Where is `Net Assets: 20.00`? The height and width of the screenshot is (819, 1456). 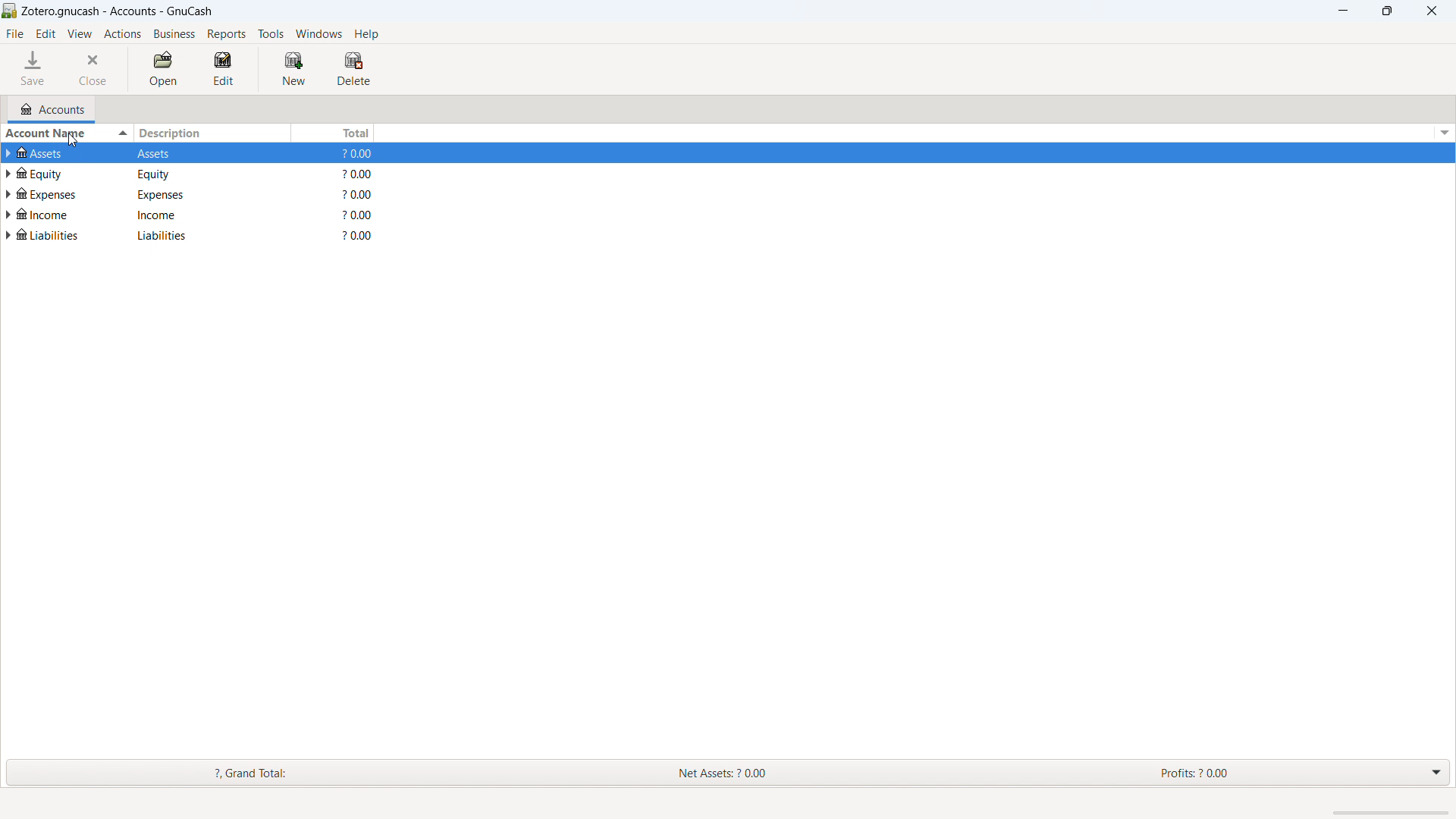 Net Assets: 20.00 is located at coordinates (742, 773).